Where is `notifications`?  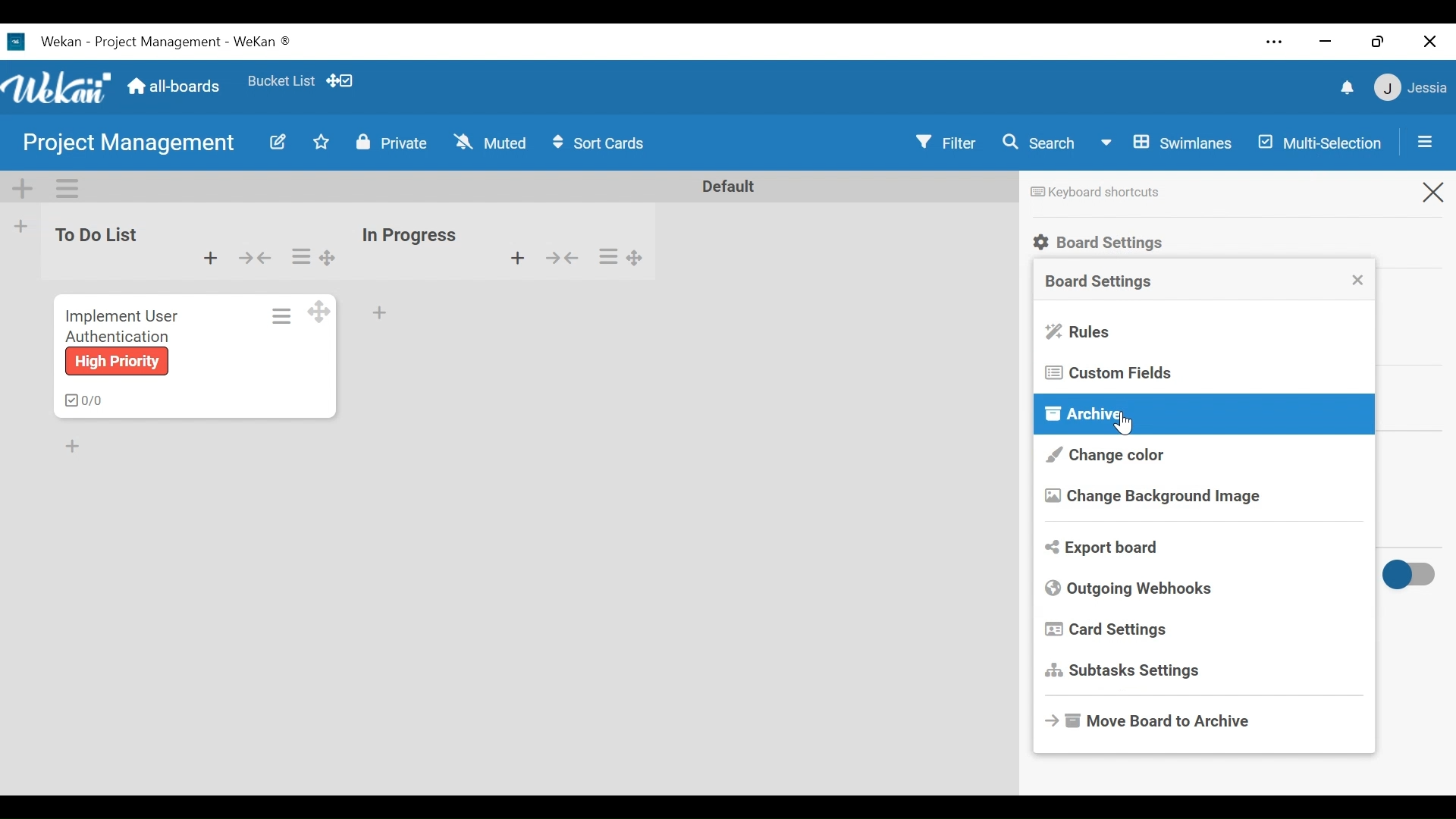
notifications is located at coordinates (1349, 88).